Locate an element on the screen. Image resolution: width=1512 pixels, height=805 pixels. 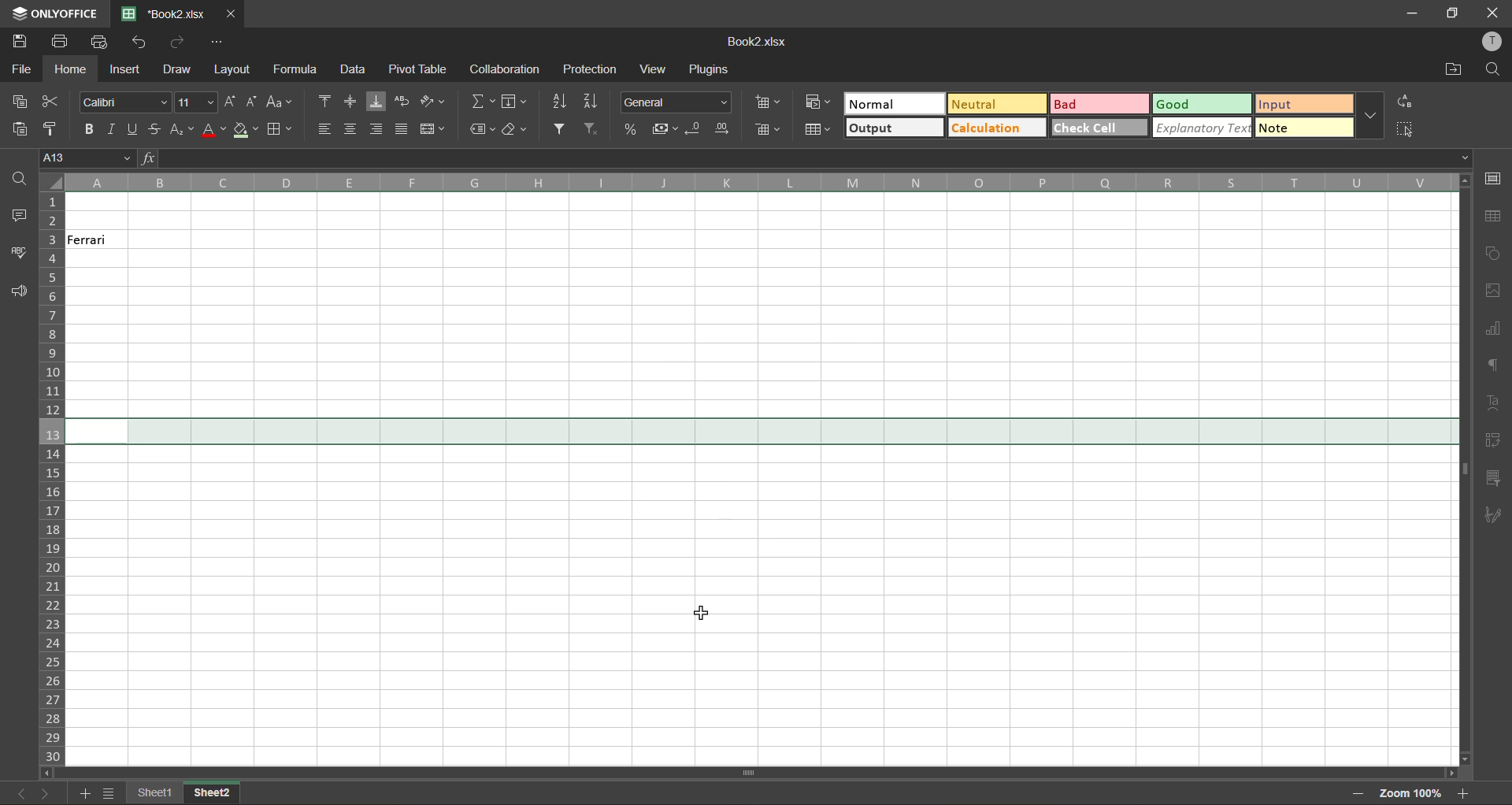
quick print is located at coordinates (102, 43).